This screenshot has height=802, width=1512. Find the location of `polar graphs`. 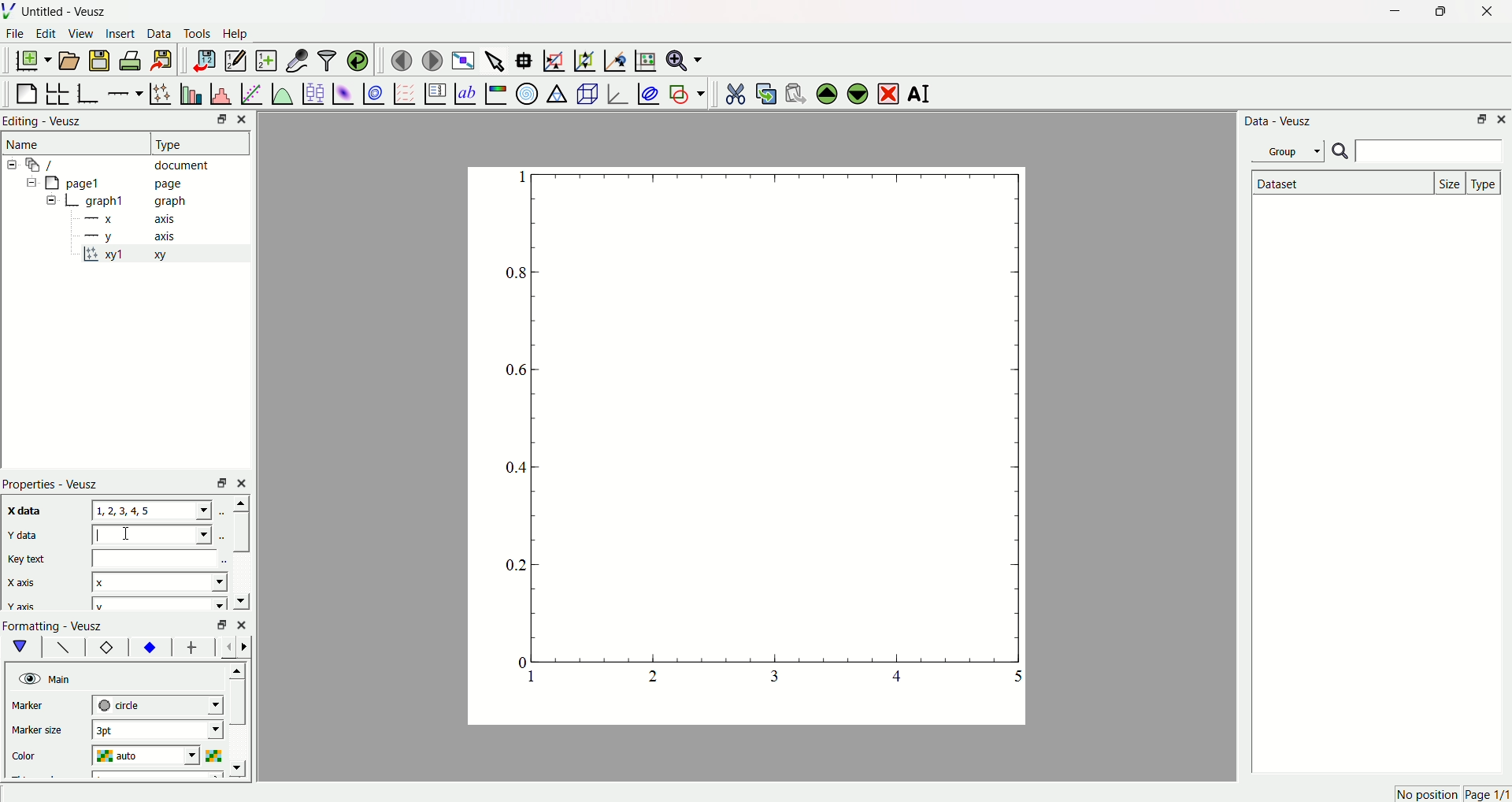

polar graphs is located at coordinates (527, 91).